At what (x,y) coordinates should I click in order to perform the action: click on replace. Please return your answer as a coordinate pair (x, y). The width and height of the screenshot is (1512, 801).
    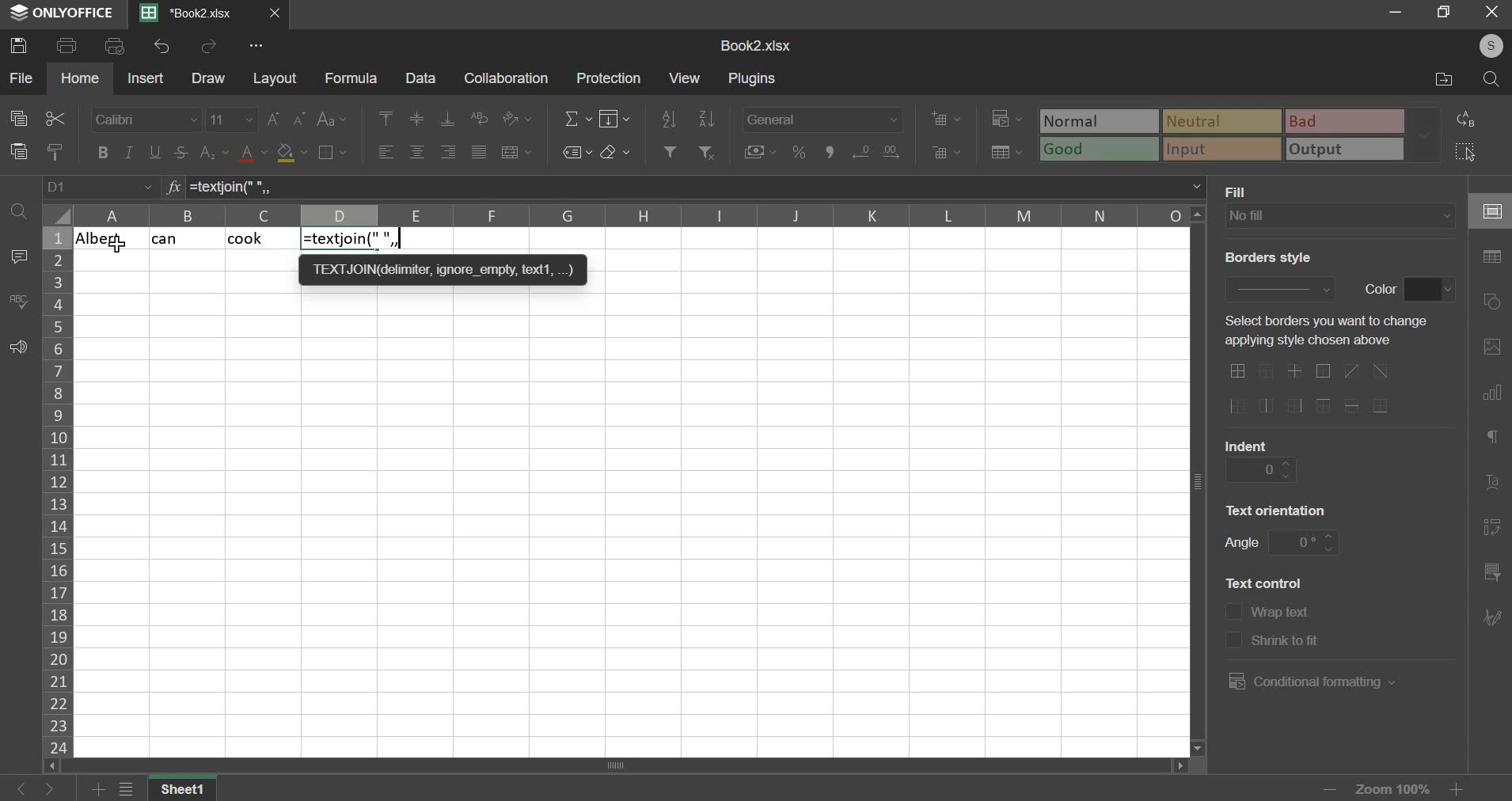
    Looking at the image, I should click on (1471, 119).